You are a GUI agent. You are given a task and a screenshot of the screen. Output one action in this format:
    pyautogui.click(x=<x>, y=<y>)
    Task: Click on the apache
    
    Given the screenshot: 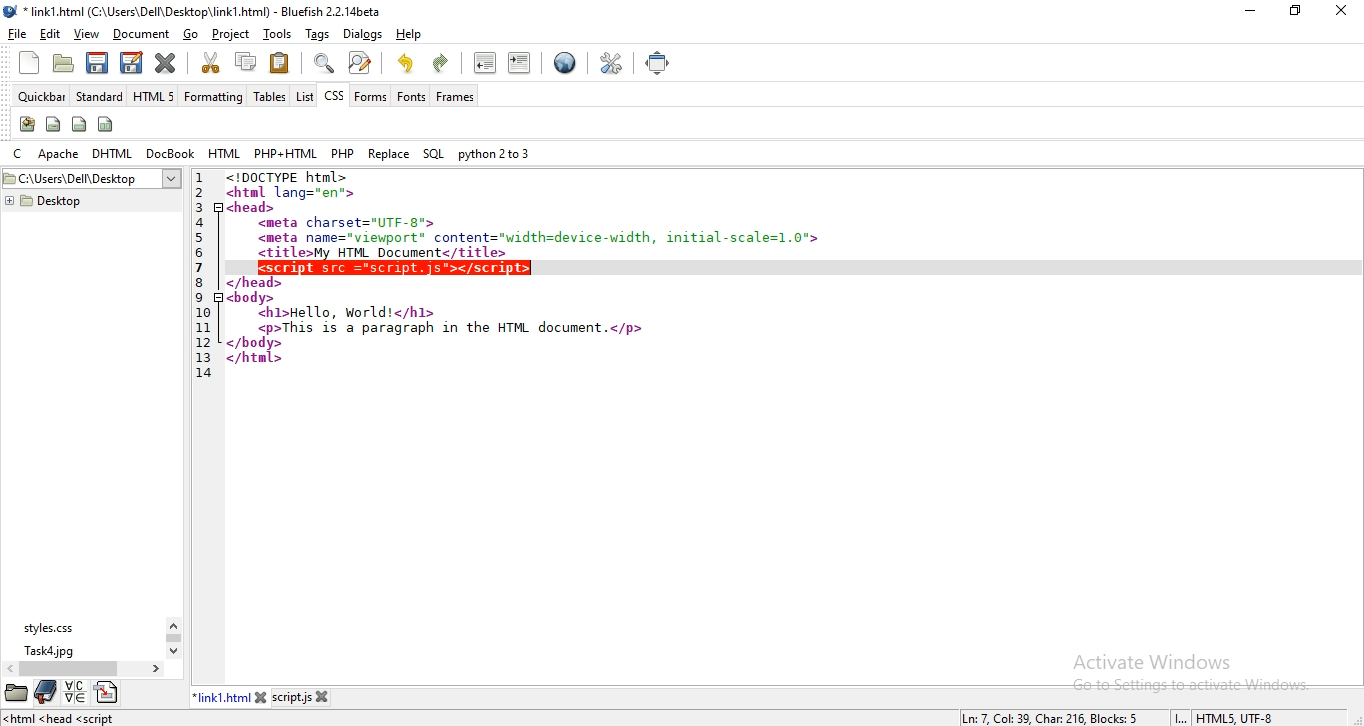 What is the action you would take?
    pyautogui.click(x=58, y=153)
    